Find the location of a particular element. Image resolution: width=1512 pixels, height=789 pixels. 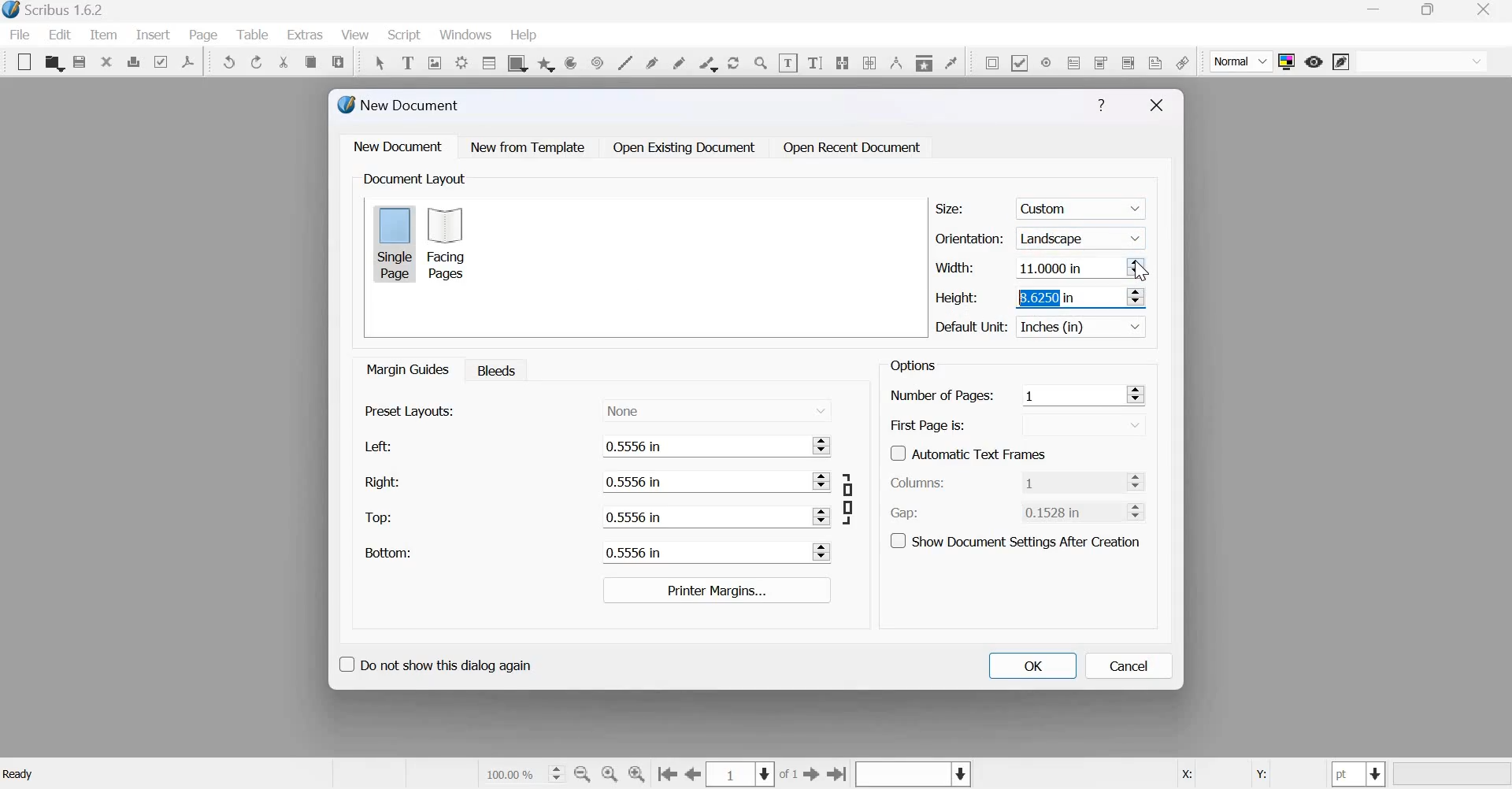

Printer margins is located at coordinates (715, 590).